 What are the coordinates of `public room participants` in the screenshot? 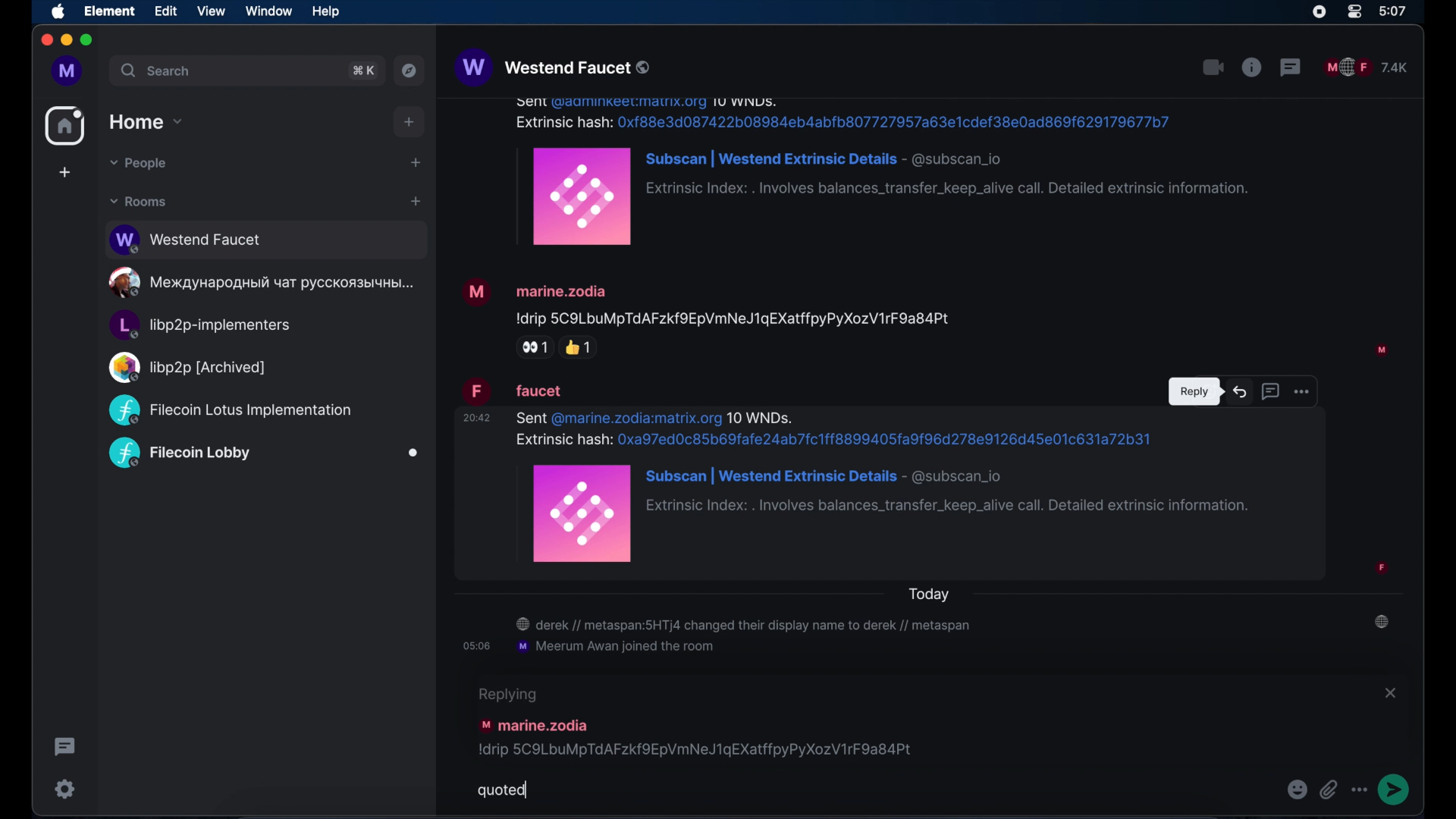 It's located at (1367, 67).